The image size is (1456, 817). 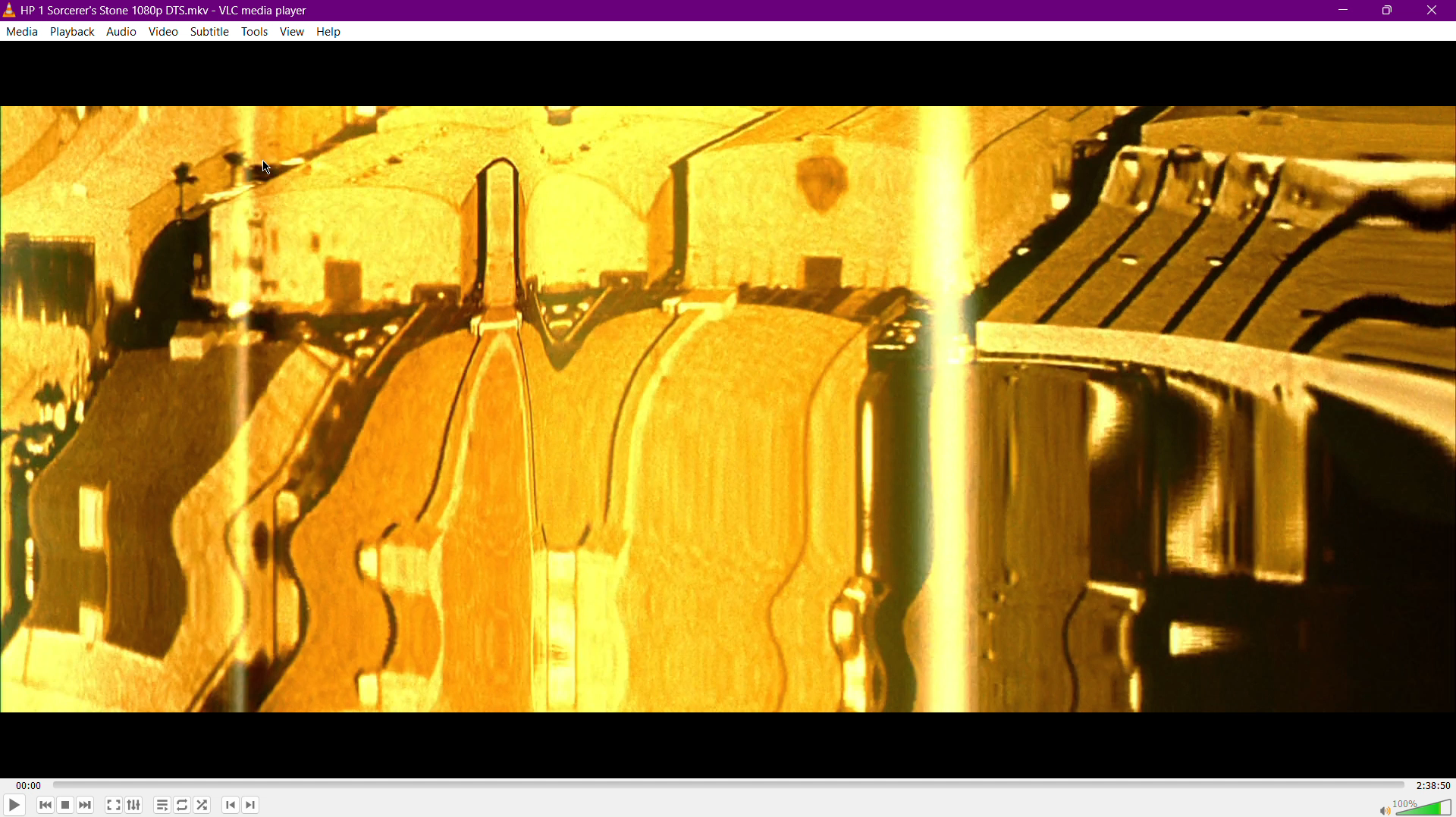 What do you see at coordinates (160, 804) in the screenshot?
I see `Toggle playlist` at bounding box center [160, 804].